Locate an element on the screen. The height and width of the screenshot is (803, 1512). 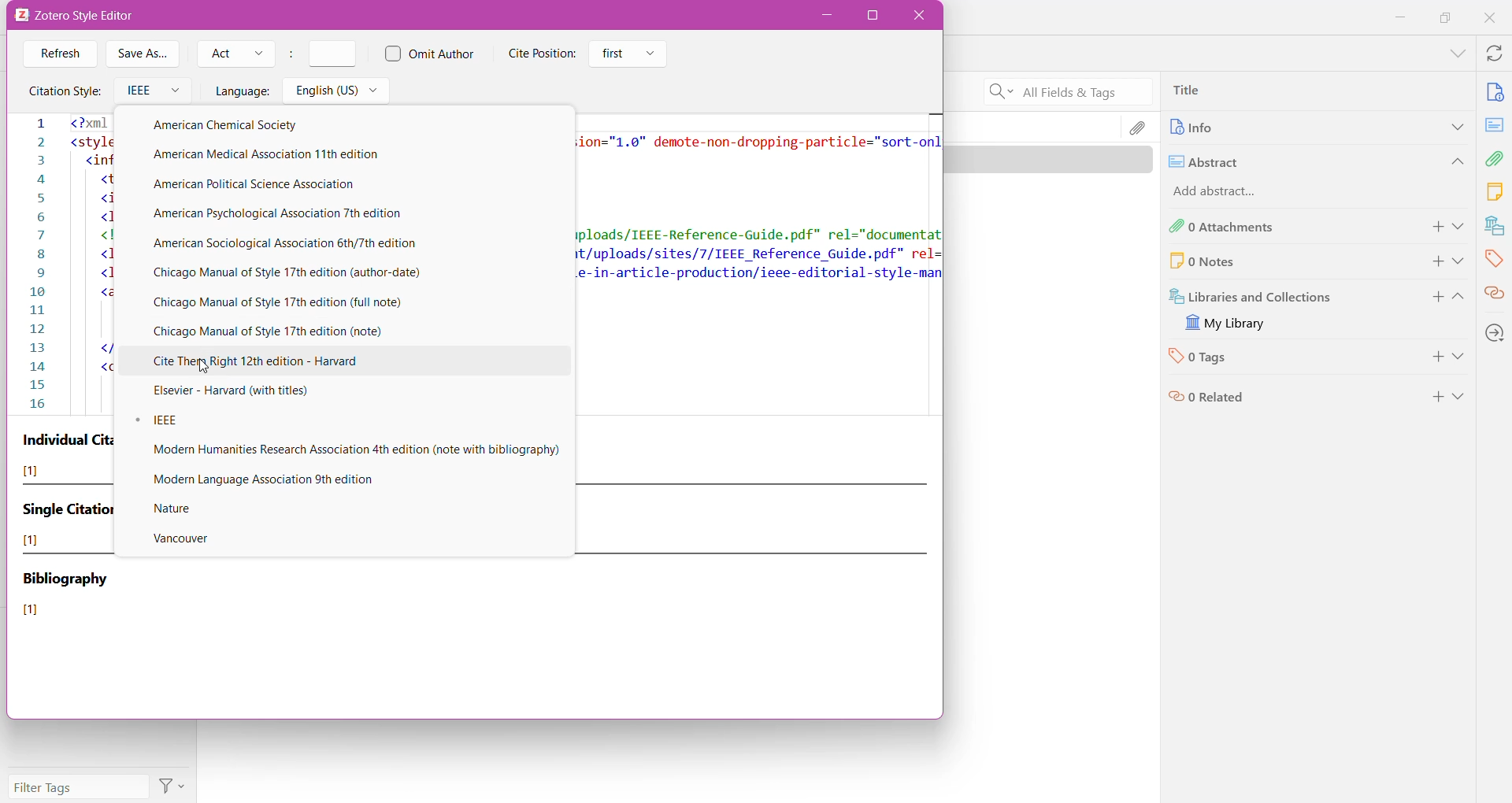
Nature is located at coordinates (186, 509).